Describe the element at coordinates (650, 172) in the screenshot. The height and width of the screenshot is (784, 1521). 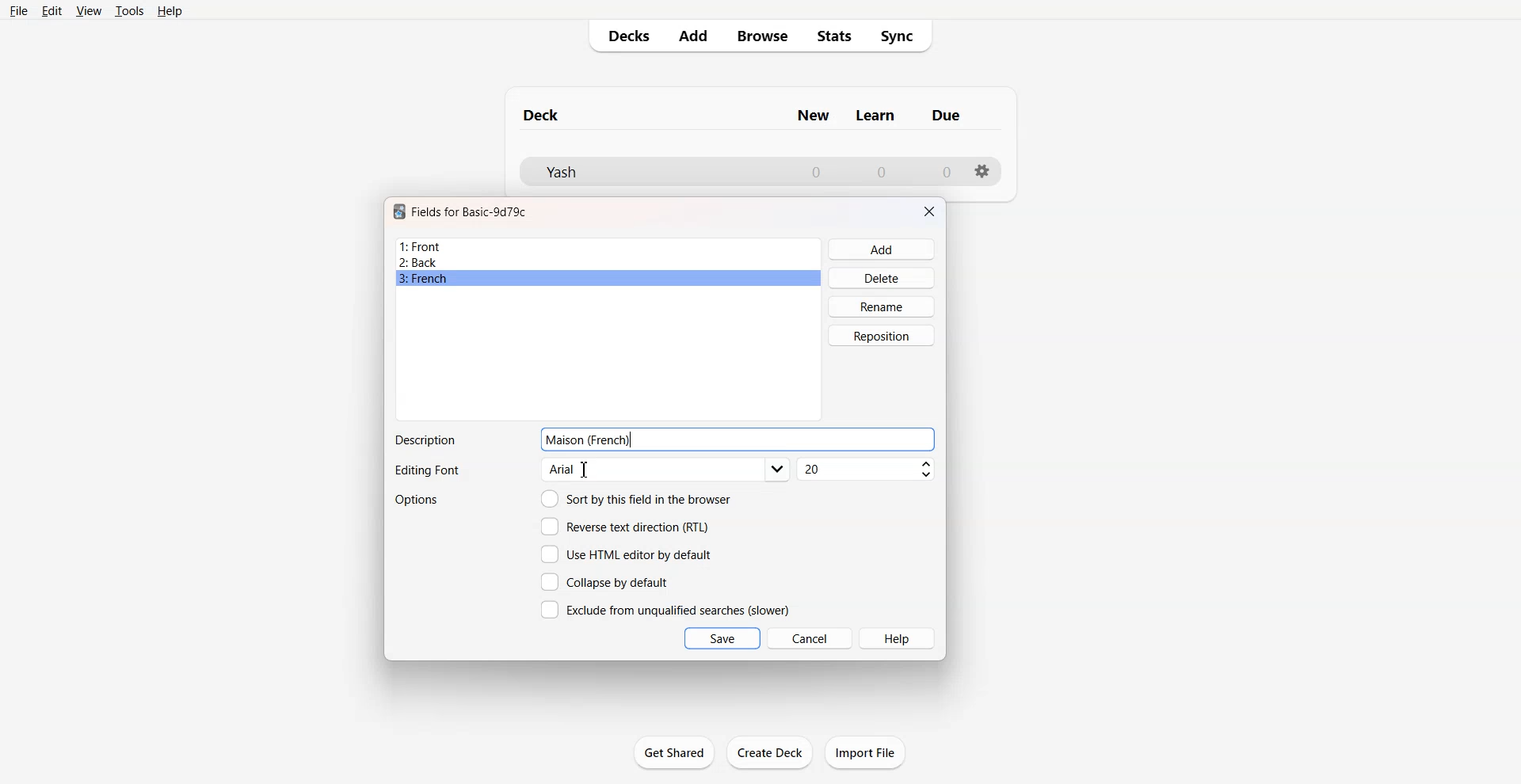
I see `Deck File` at that location.